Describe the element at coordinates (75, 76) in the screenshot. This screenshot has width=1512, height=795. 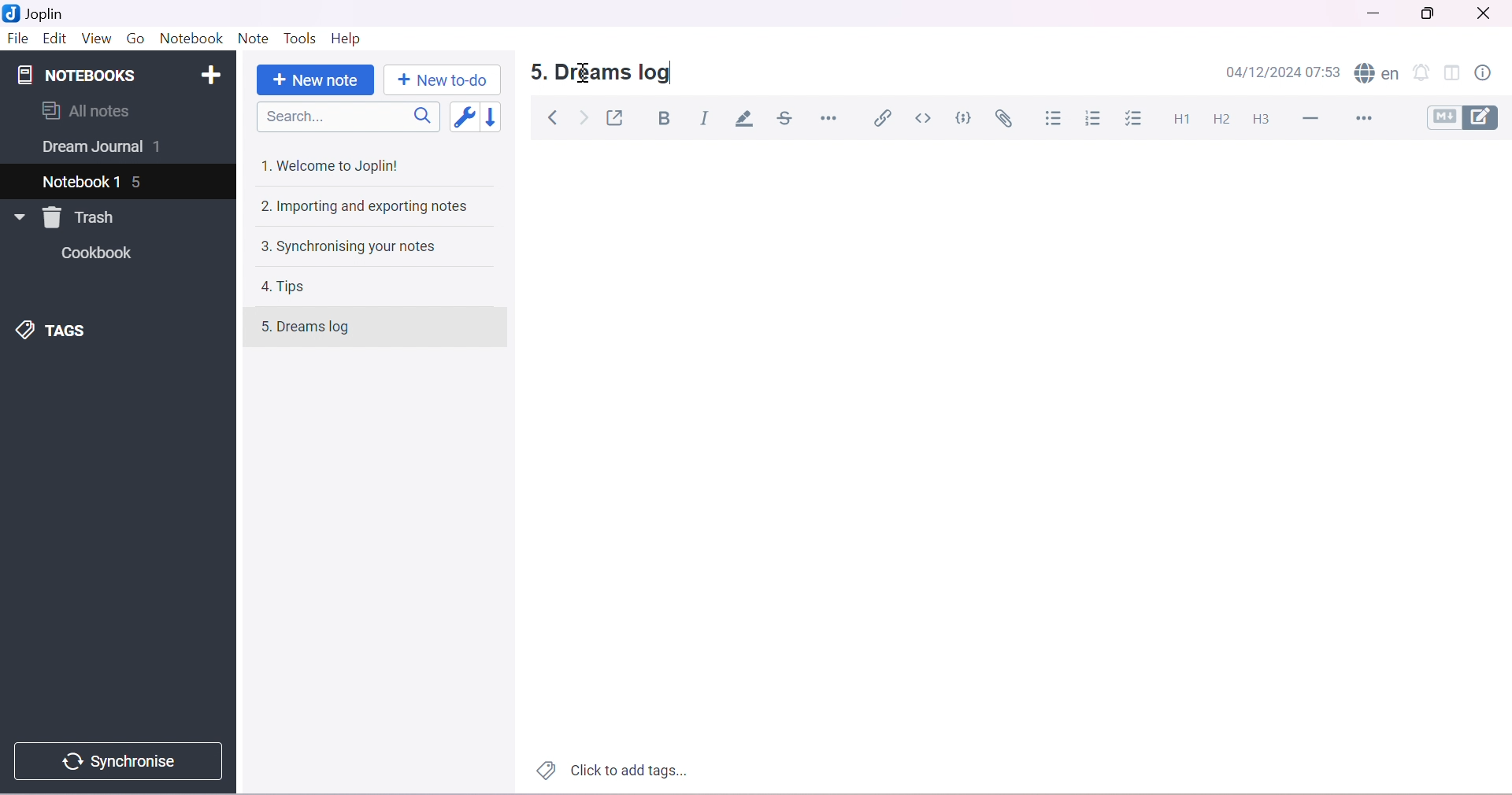
I see `NOTEBOOKS` at that location.